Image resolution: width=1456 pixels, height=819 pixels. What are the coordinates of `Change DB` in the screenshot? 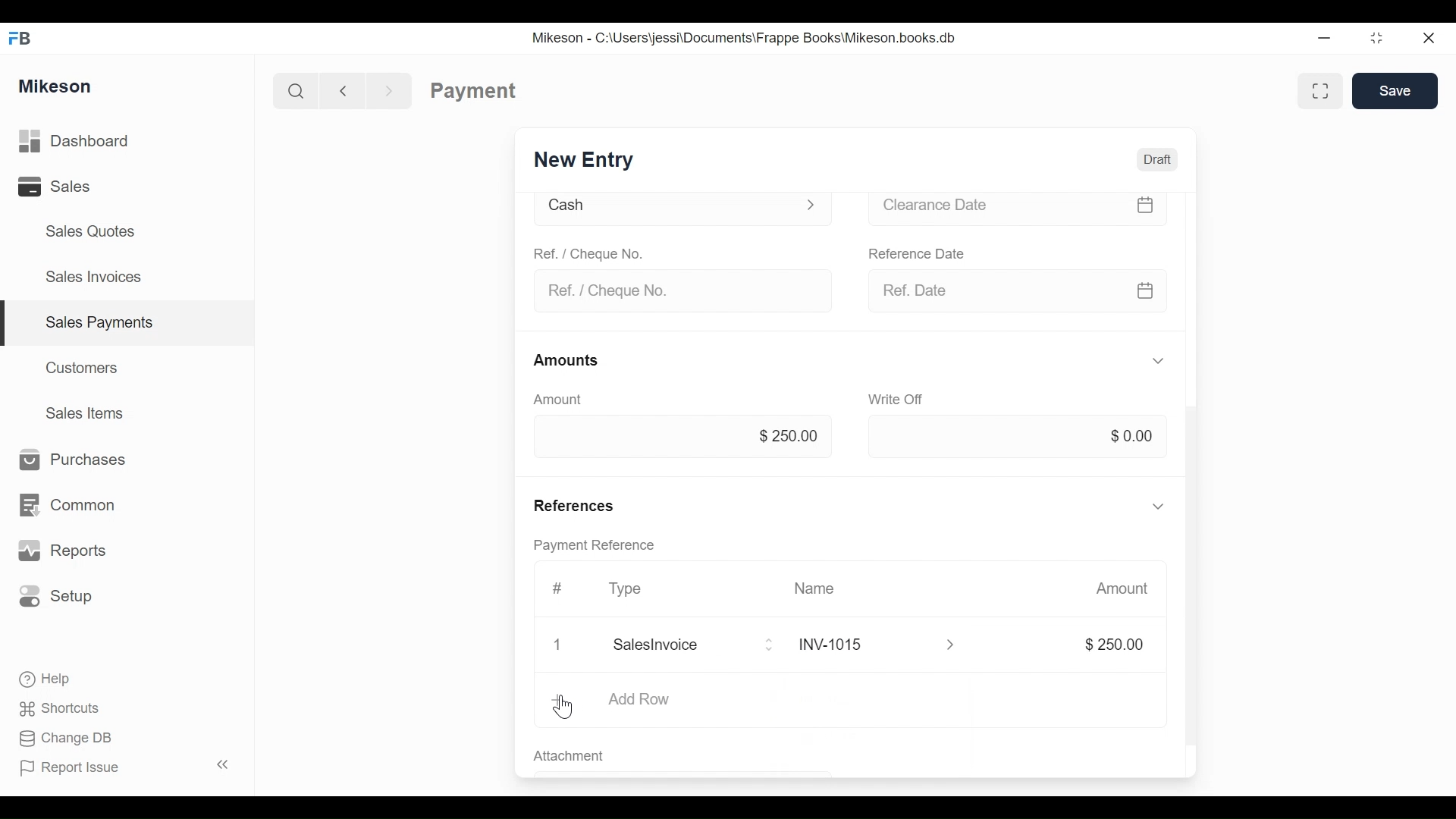 It's located at (70, 739).